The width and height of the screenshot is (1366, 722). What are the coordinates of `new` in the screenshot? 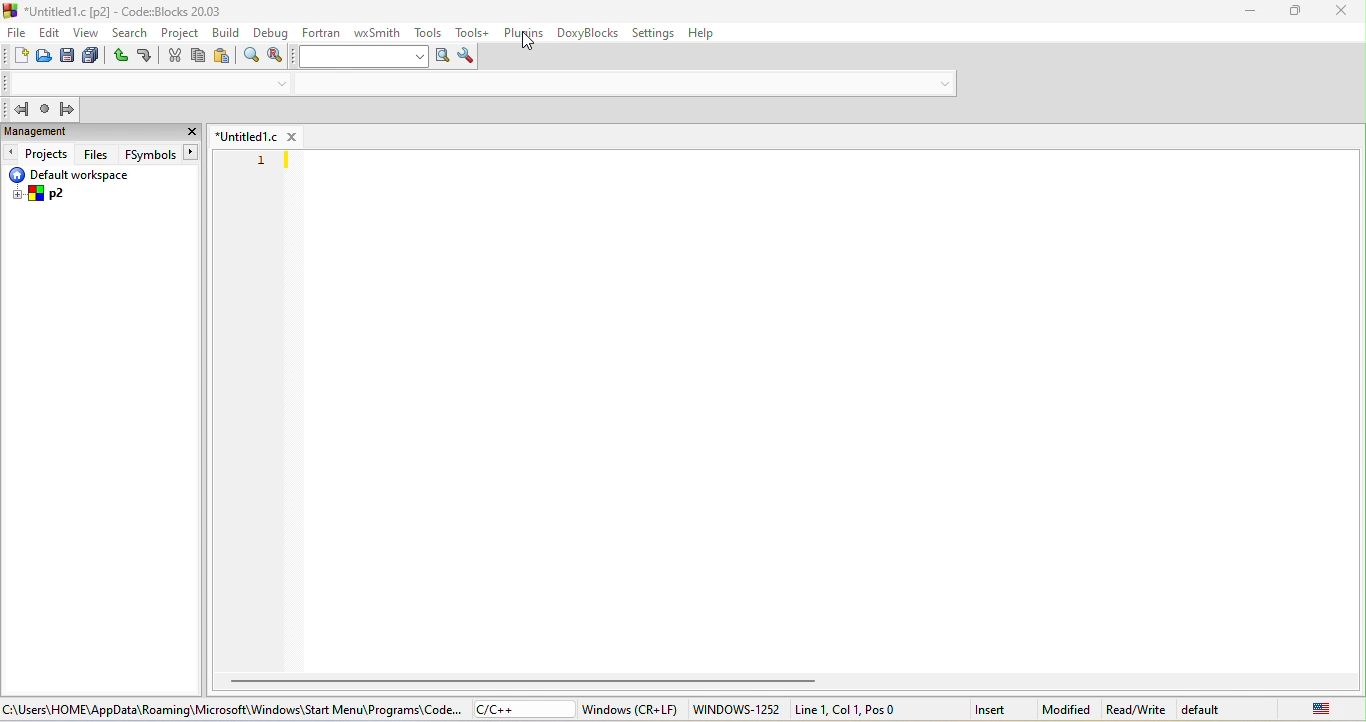 It's located at (17, 55).